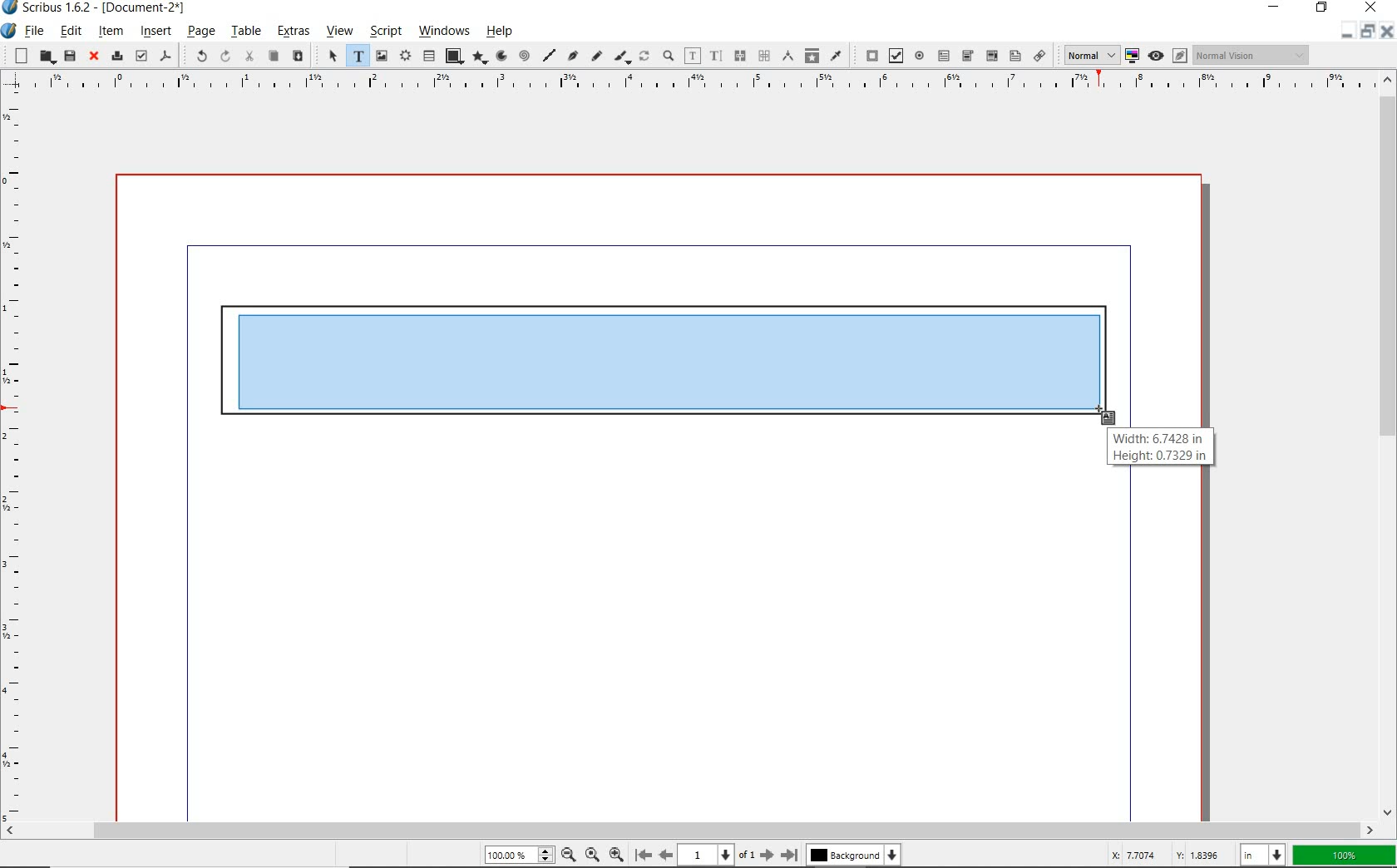 Image resolution: width=1397 pixels, height=868 pixels. I want to click on select unit, so click(1261, 856).